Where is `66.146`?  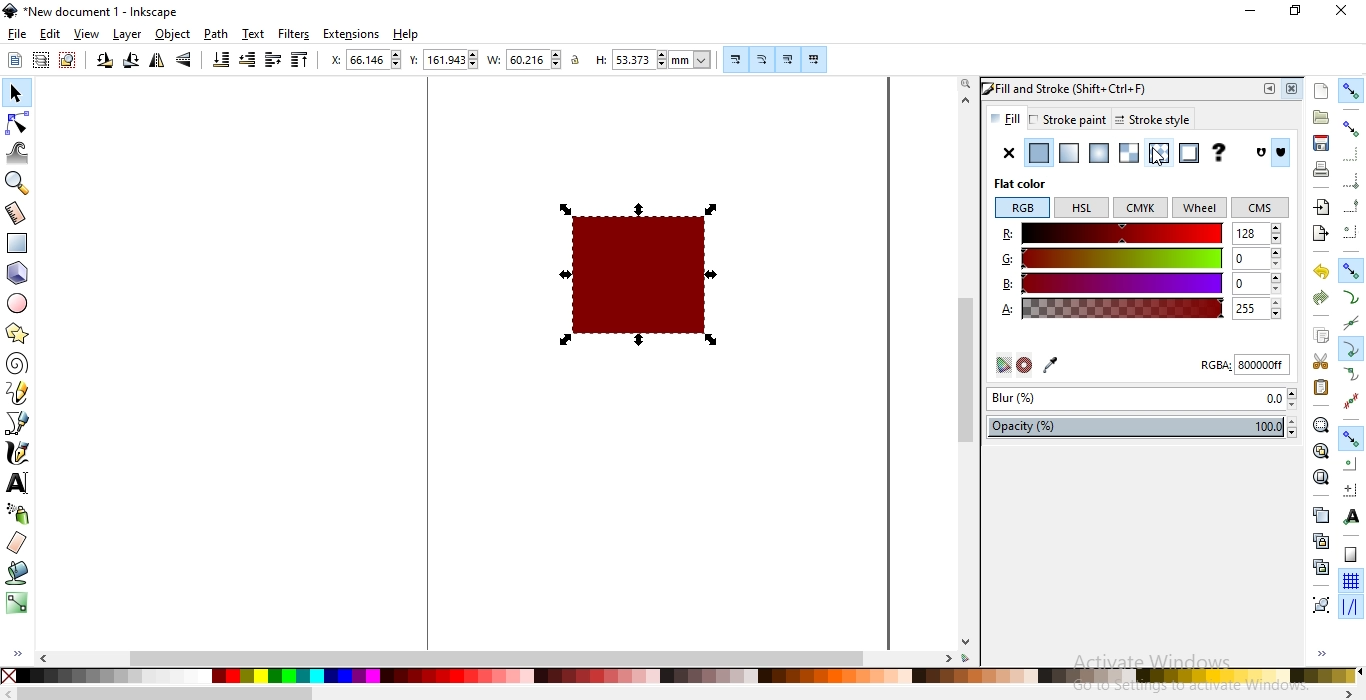
66.146 is located at coordinates (375, 59).